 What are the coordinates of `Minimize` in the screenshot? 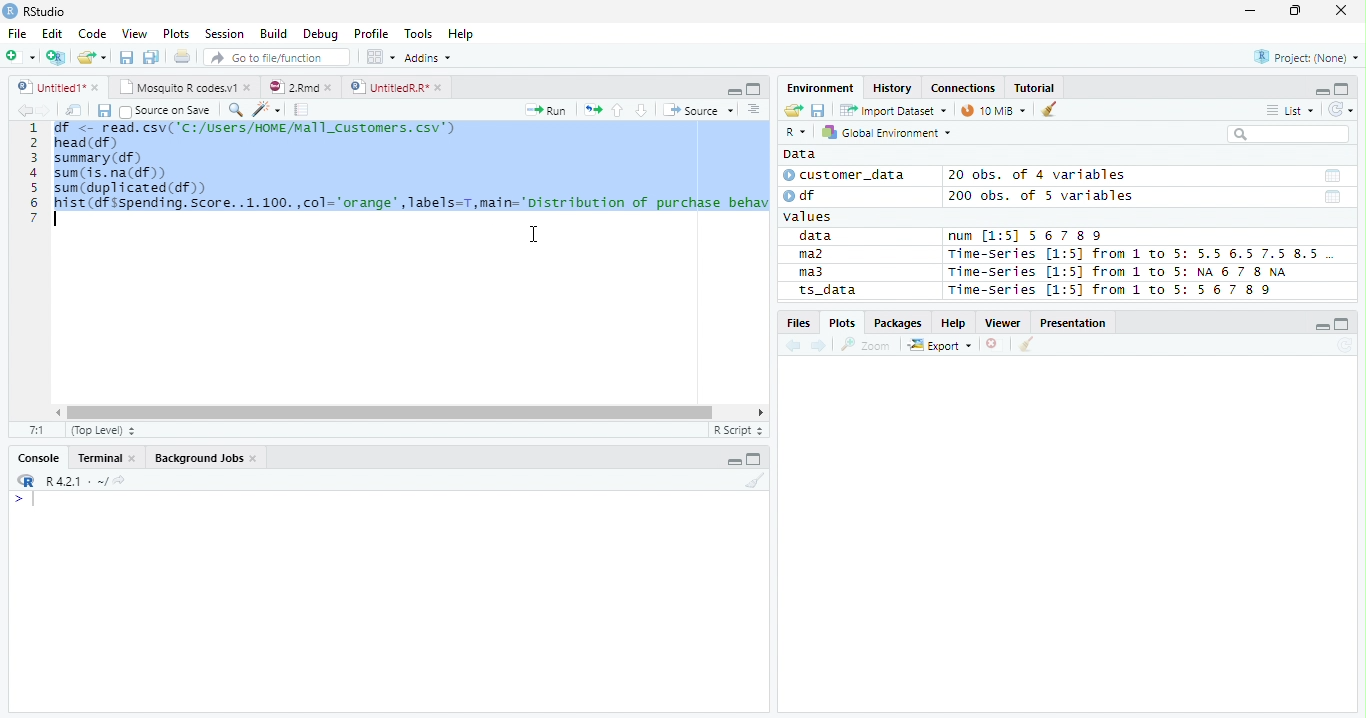 It's located at (732, 90).